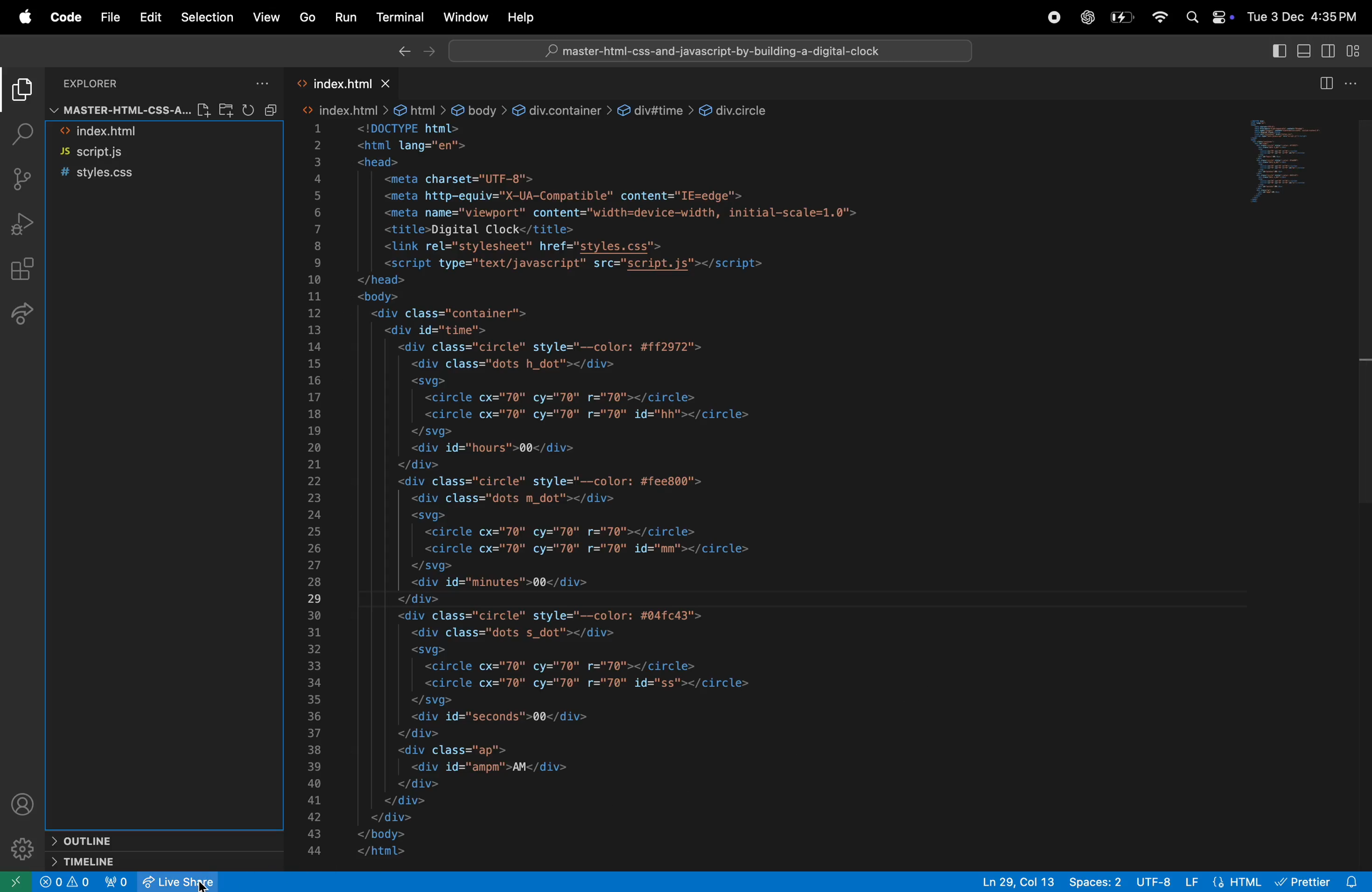  What do you see at coordinates (519, 18) in the screenshot?
I see `help` at bounding box center [519, 18].